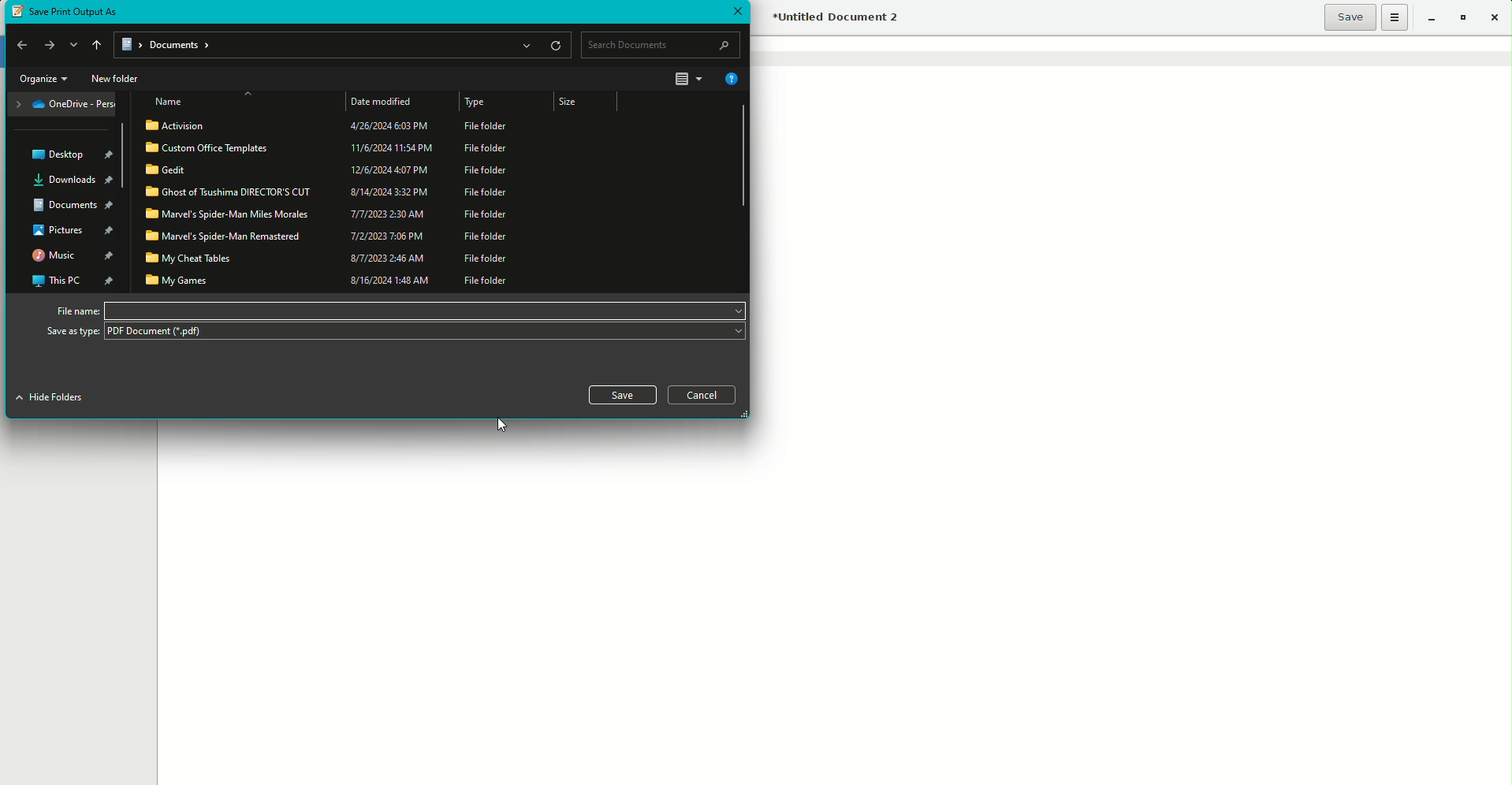  What do you see at coordinates (330, 214) in the screenshot?
I see `Miles Morales` at bounding box center [330, 214].